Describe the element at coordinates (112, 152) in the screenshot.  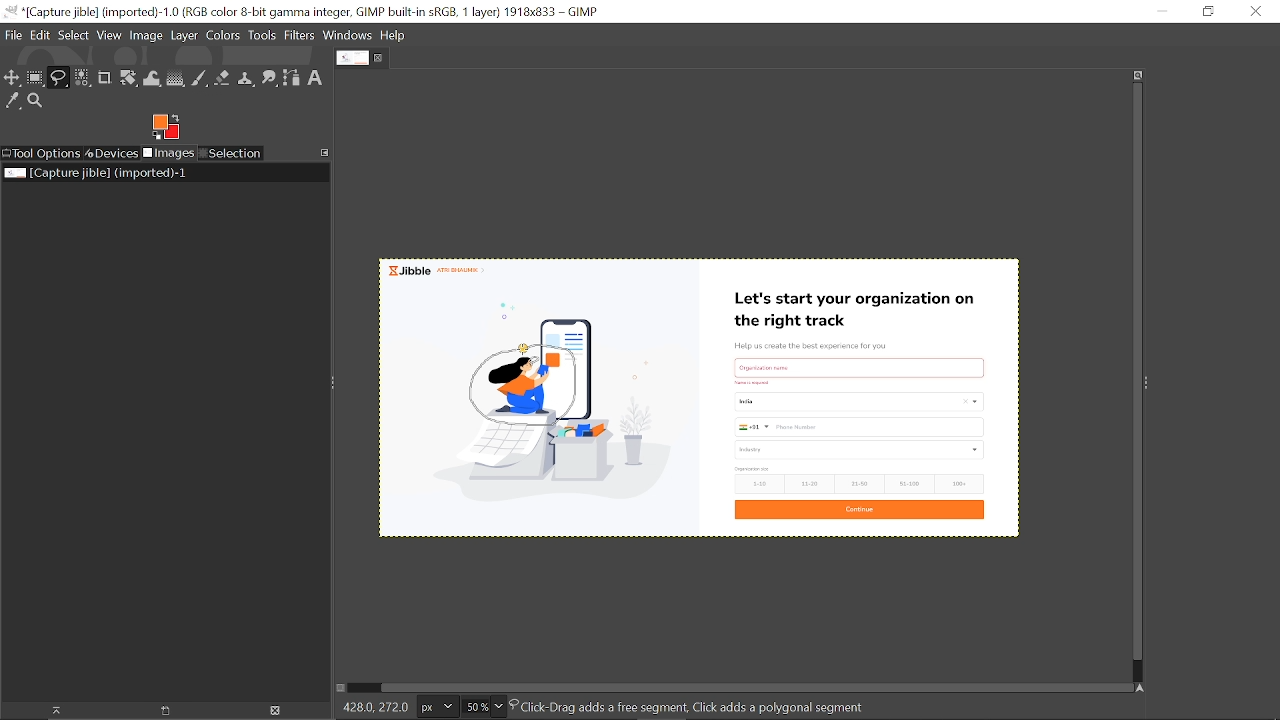
I see `Devices` at that location.